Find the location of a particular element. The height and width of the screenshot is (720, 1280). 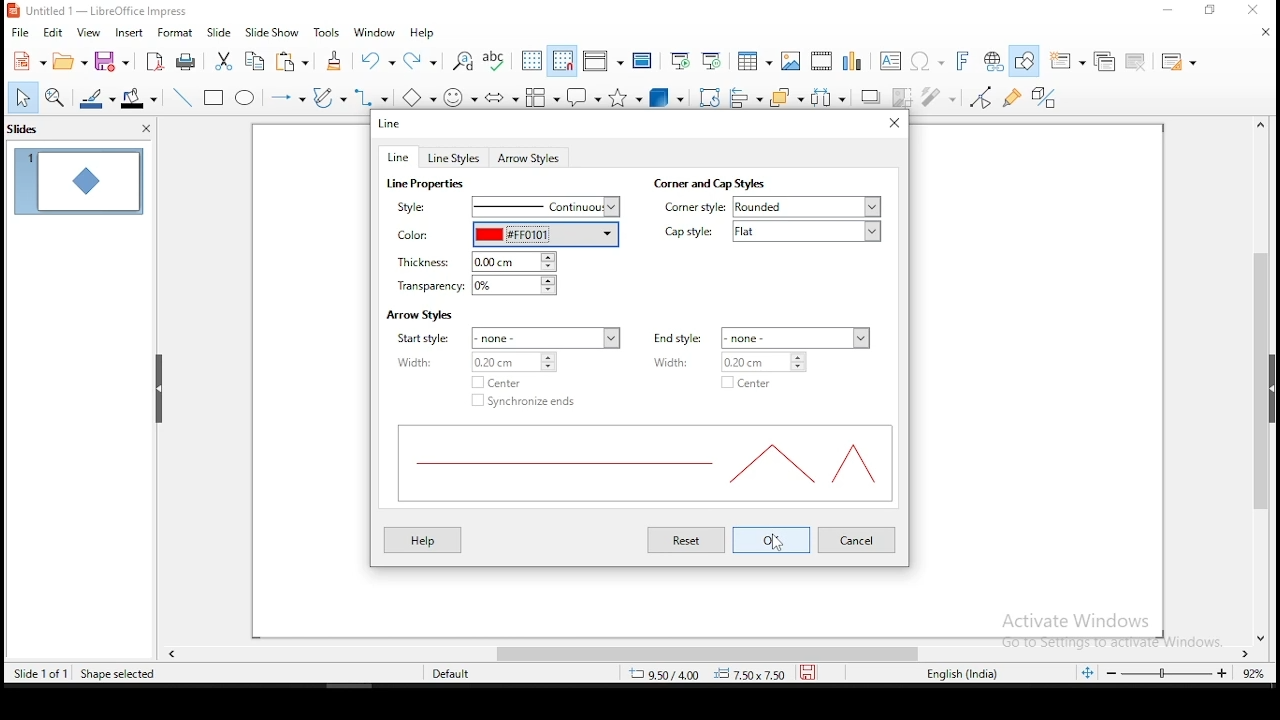

center is located at coordinates (501, 380).